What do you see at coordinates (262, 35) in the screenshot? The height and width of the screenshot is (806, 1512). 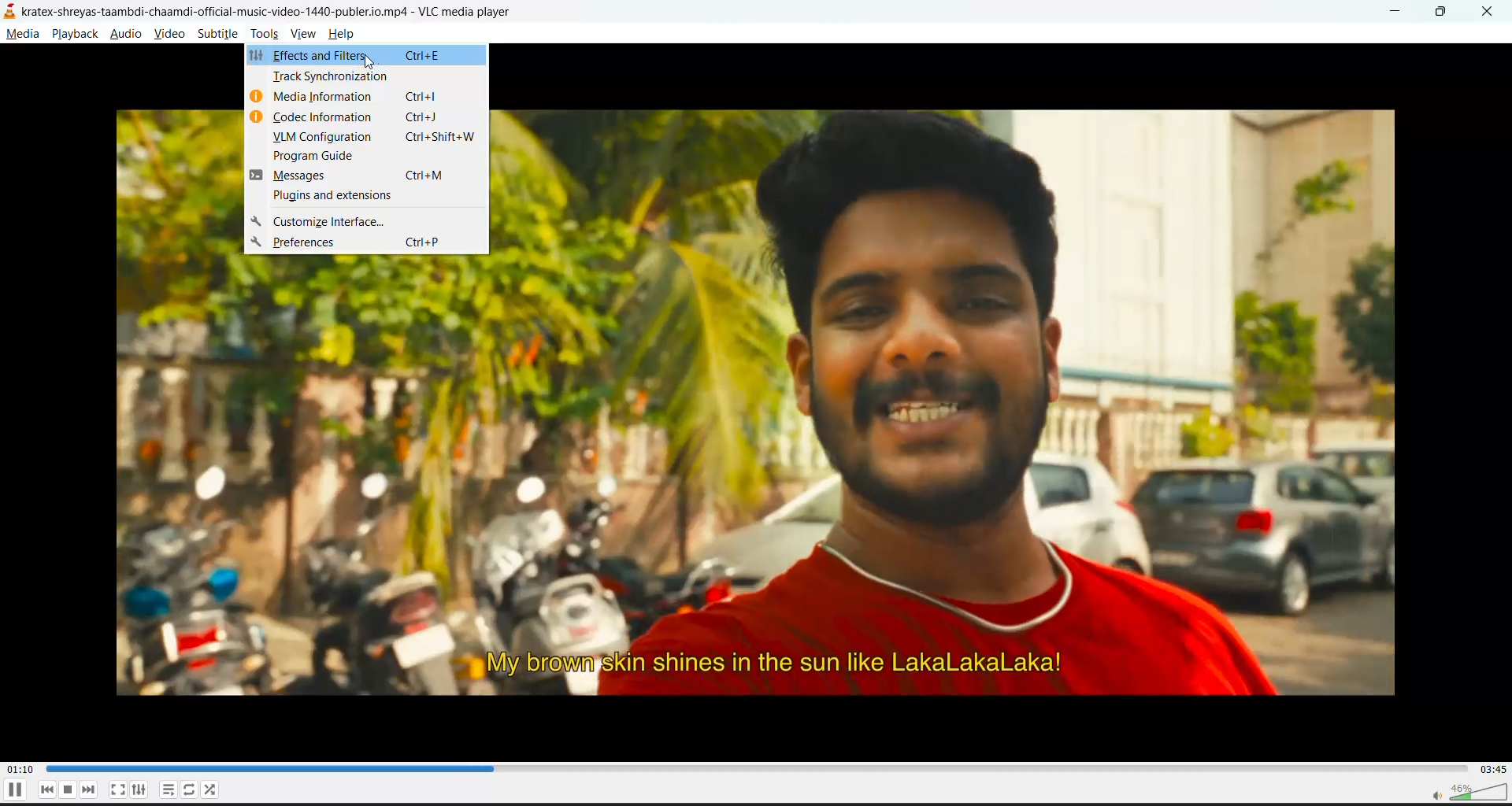 I see `tools` at bounding box center [262, 35].